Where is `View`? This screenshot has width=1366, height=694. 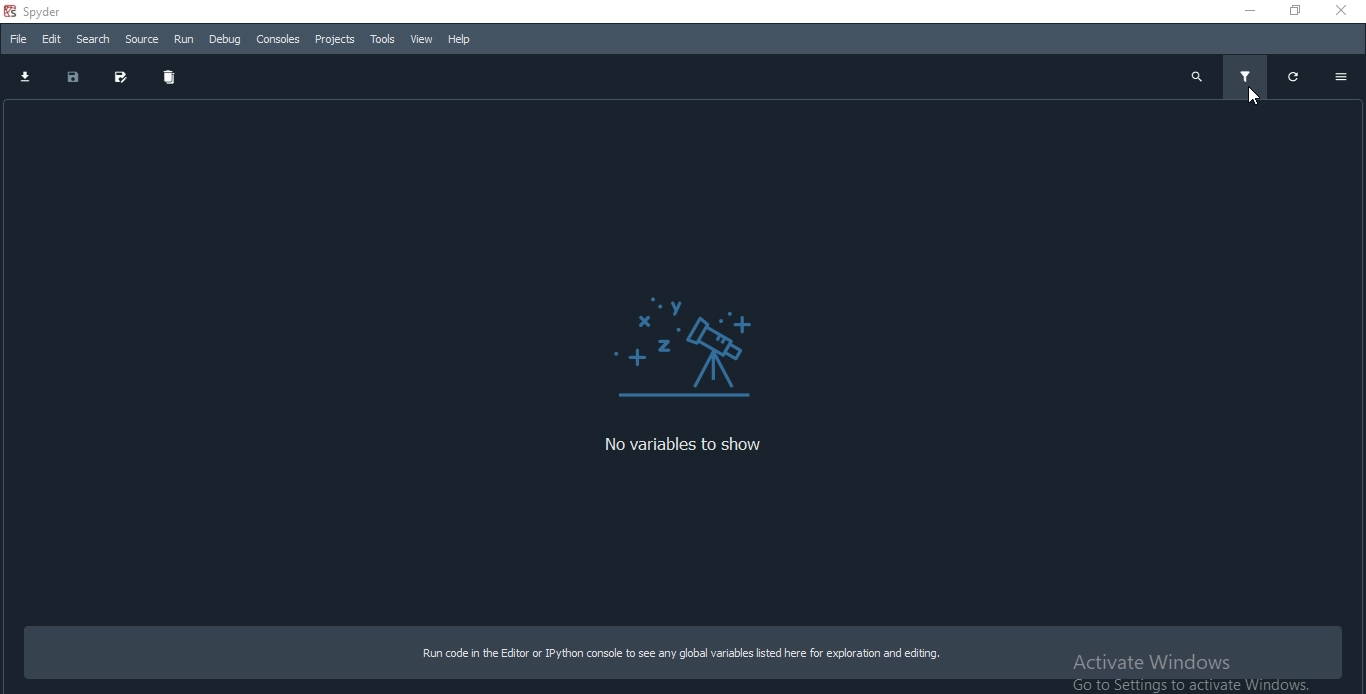 View is located at coordinates (419, 39).